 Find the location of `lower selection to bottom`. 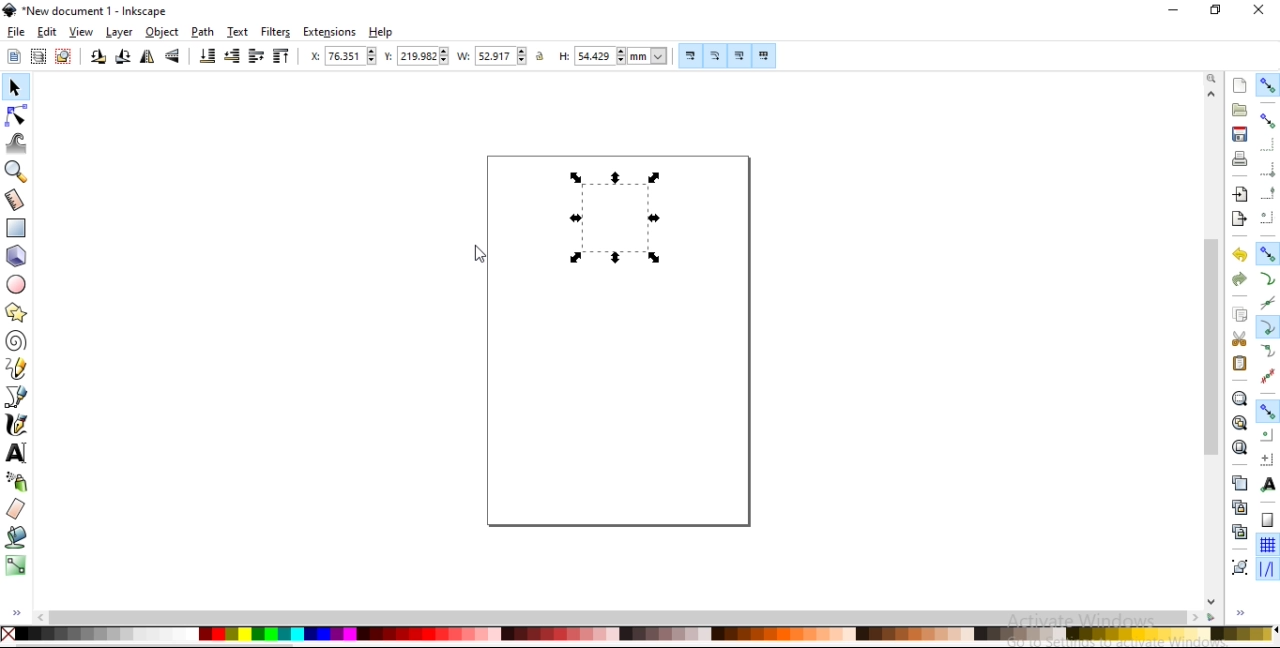

lower selection to bottom is located at coordinates (207, 57).